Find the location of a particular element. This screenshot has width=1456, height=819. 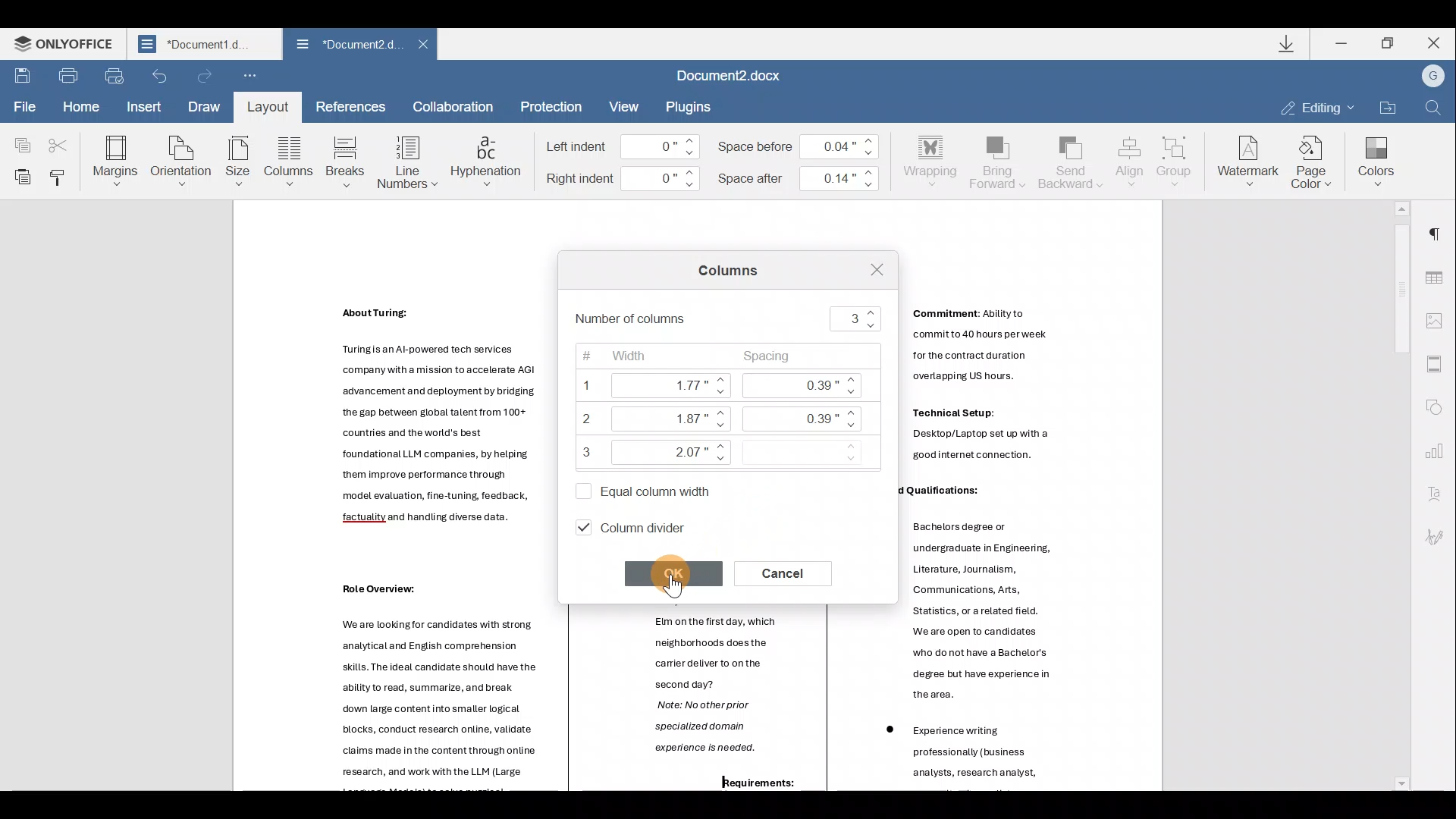

Copy is located at coordinates (19, 138).